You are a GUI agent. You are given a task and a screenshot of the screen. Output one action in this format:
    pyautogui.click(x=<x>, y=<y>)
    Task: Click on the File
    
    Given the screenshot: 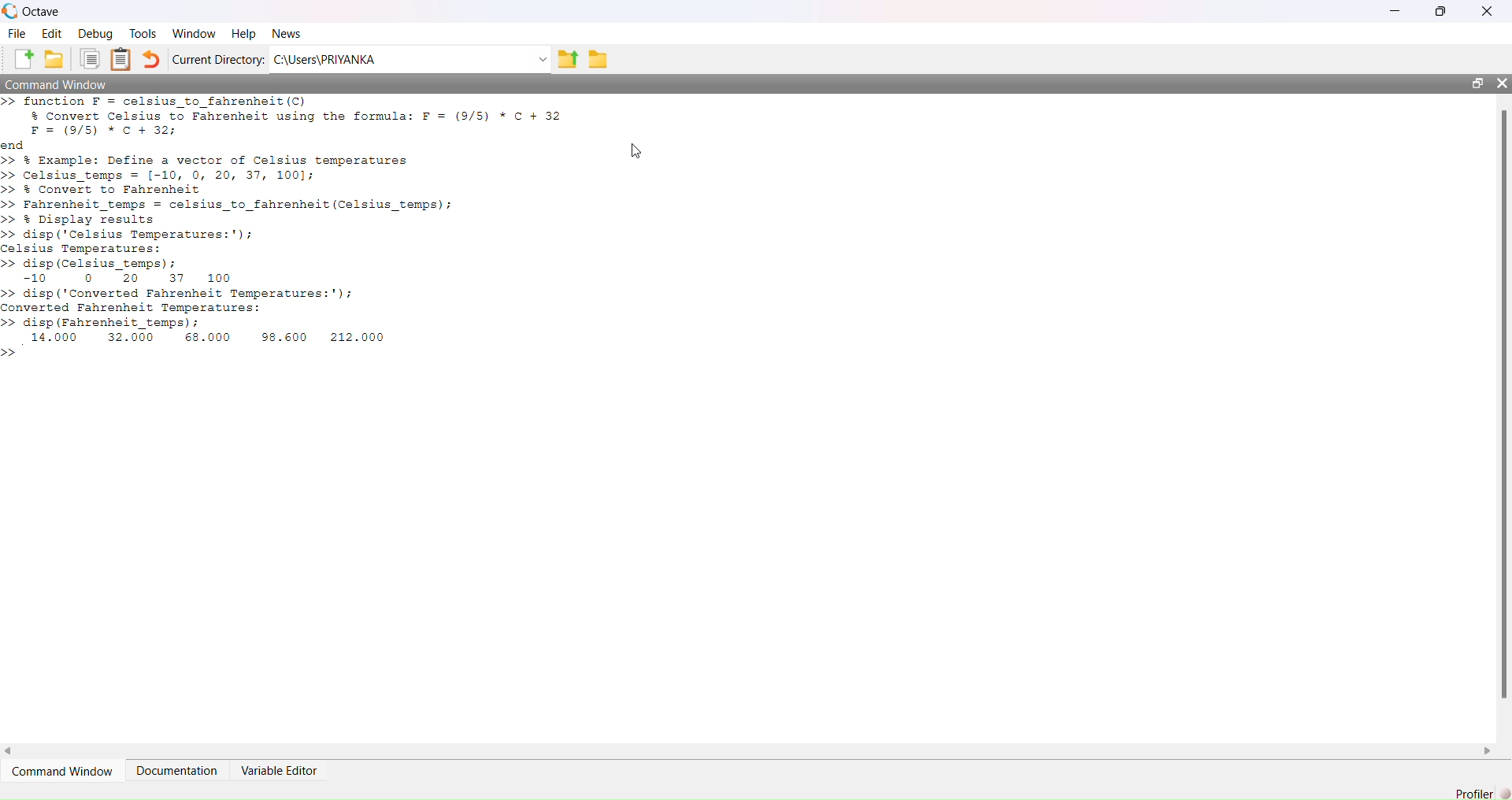 What is the action you would take?
    pyautogui.click(x=16, y=33)
    